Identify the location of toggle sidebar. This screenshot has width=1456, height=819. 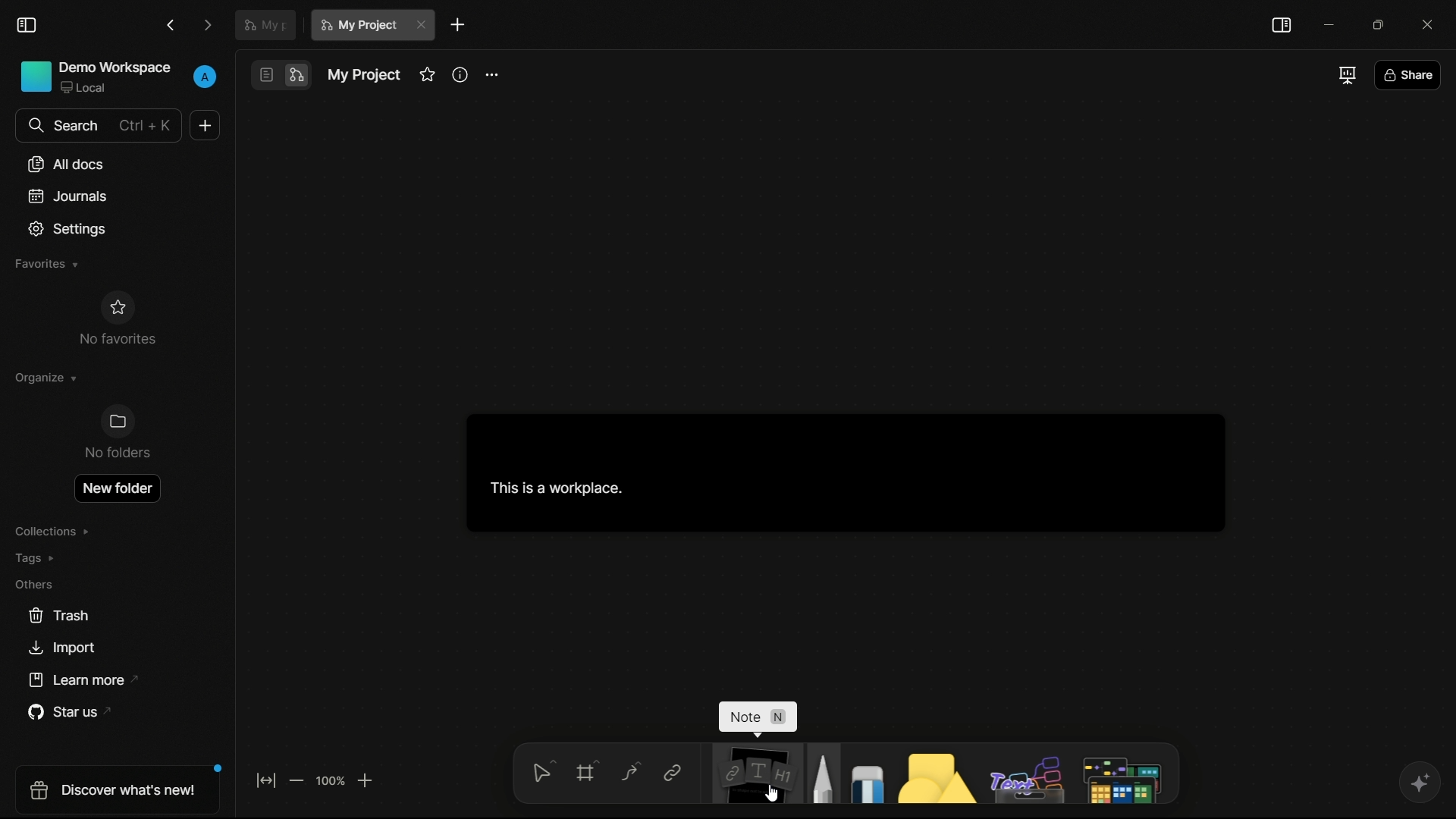
(1282, 26).